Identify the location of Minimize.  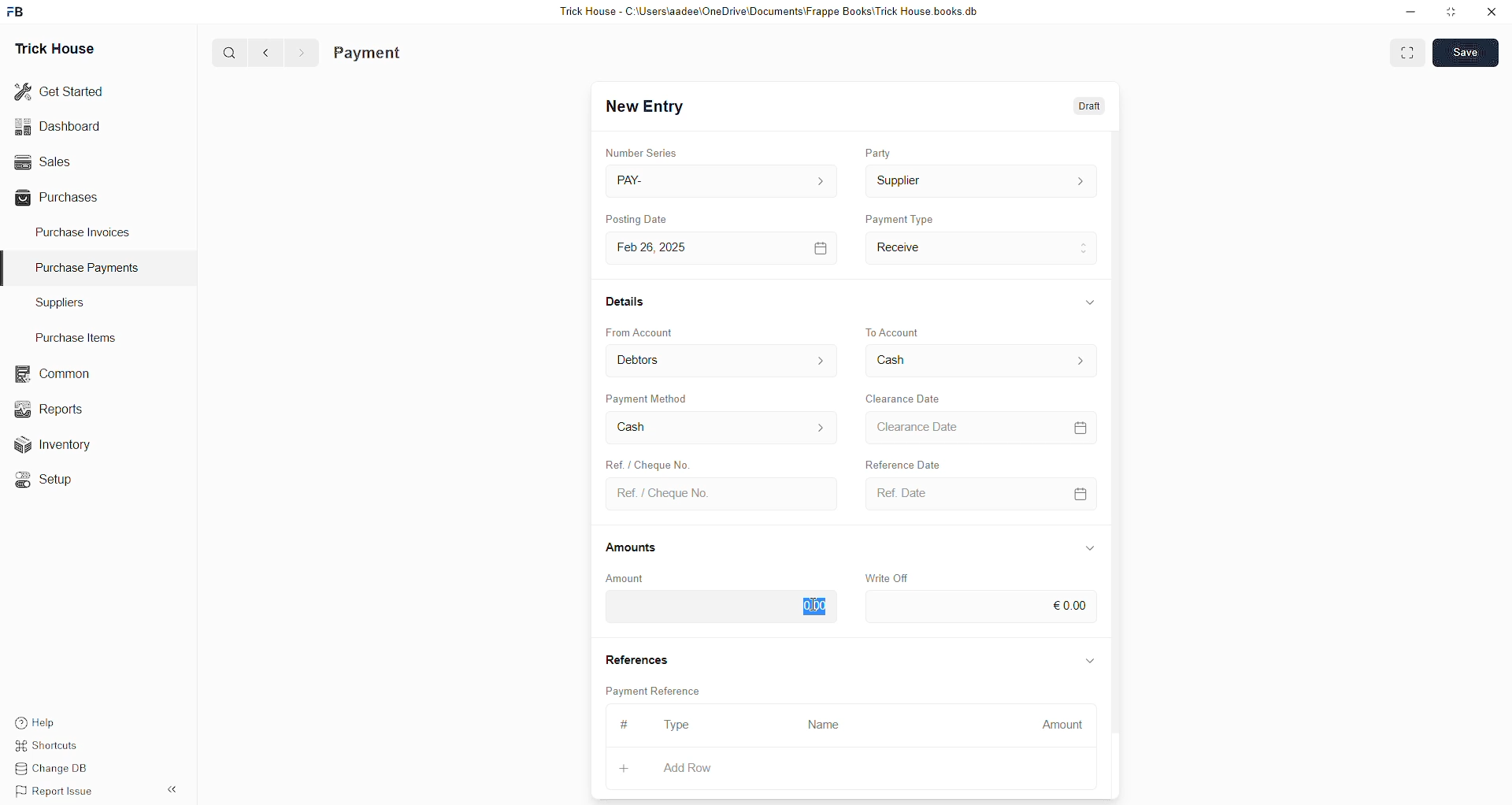
(1410, 13).